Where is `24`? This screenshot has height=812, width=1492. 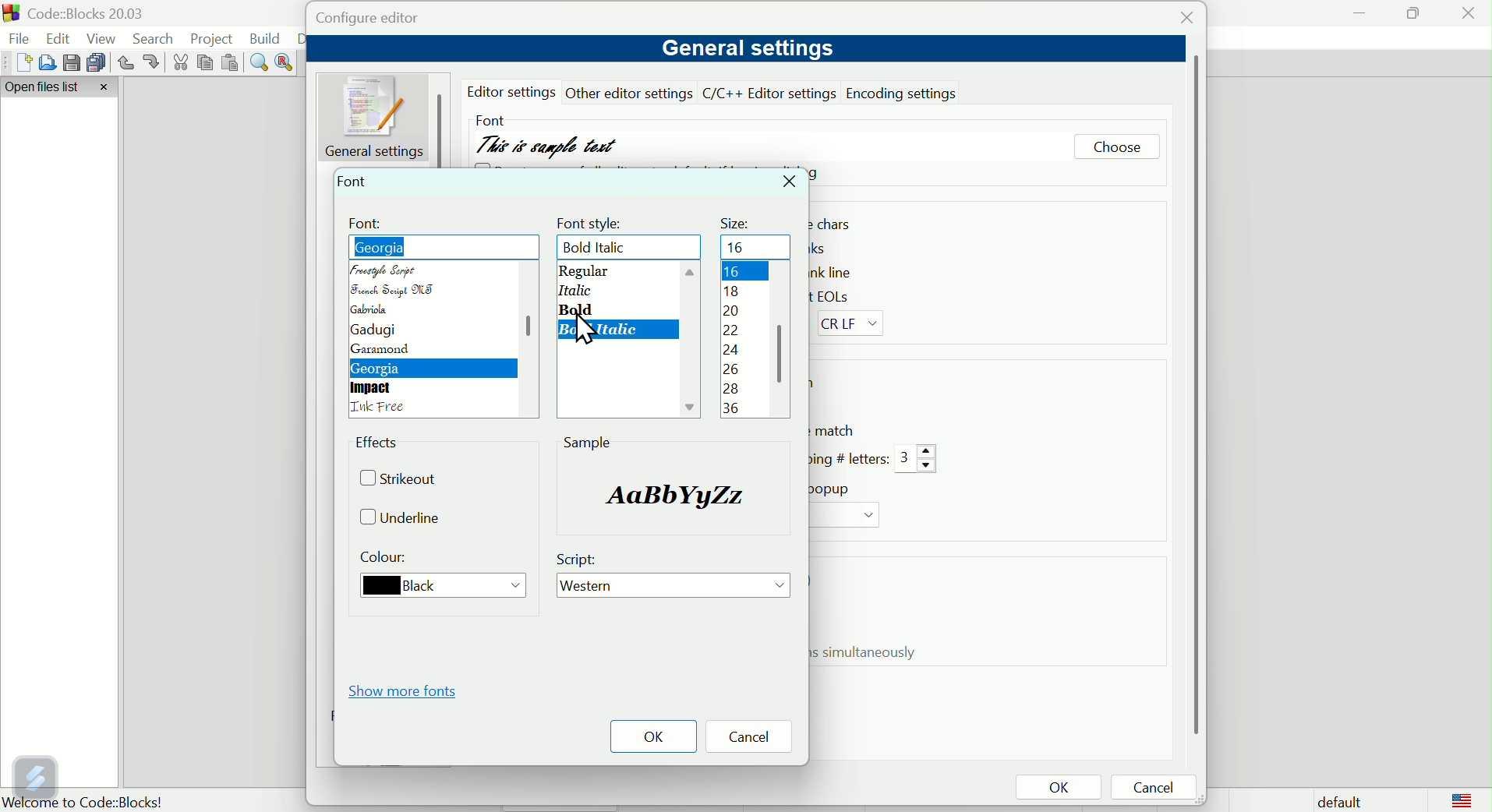
24 is located at coordinates (730, 352).